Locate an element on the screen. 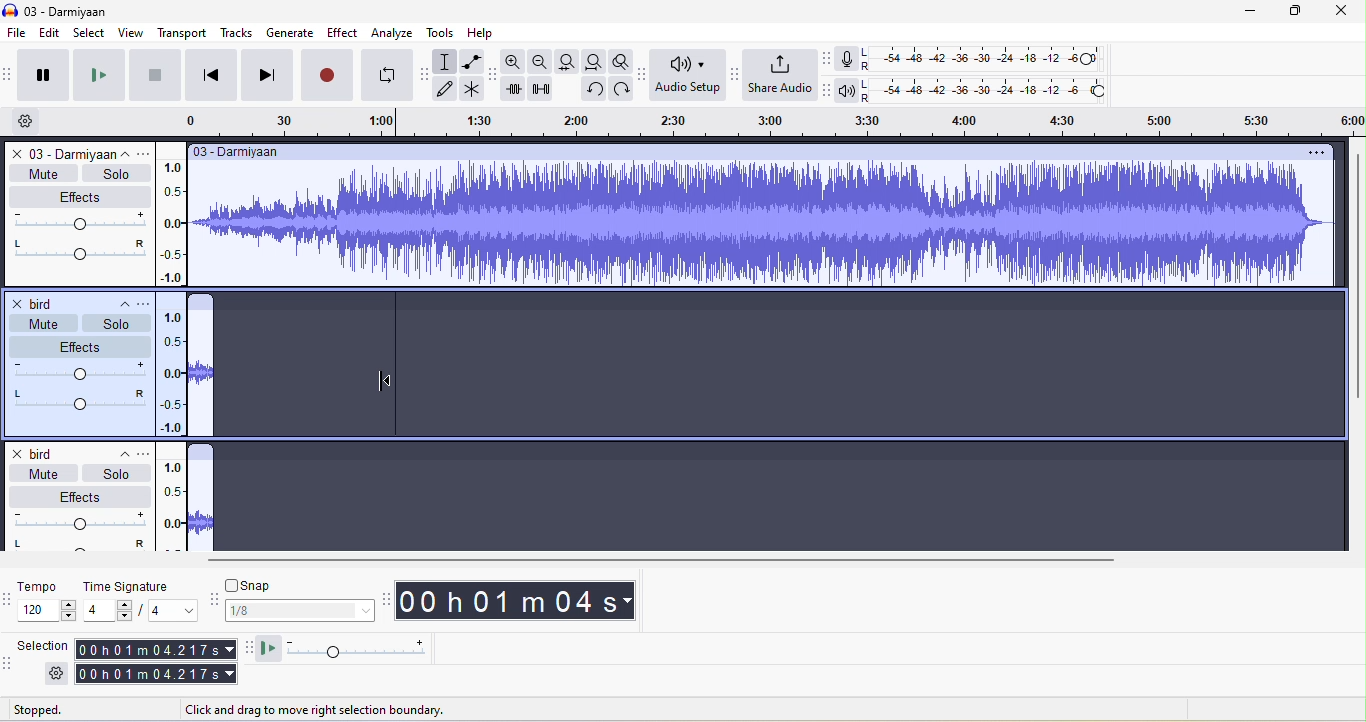 The image size is (1366, 722). fit project to width is located at coordinates (598, 62).